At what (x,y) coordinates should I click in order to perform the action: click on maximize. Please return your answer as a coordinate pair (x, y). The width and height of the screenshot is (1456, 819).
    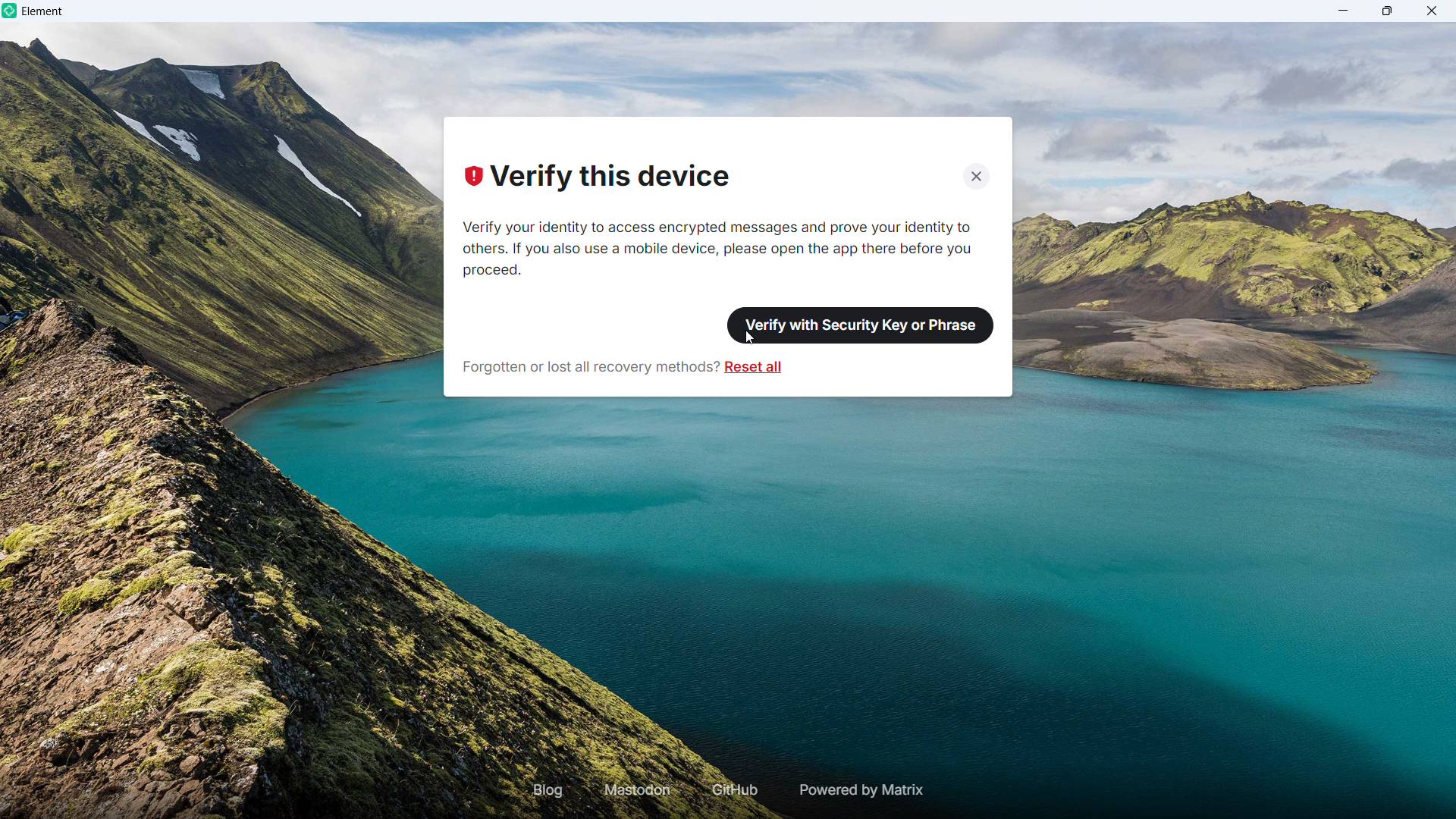
    Looking at the image, I should click on (1388, 11).